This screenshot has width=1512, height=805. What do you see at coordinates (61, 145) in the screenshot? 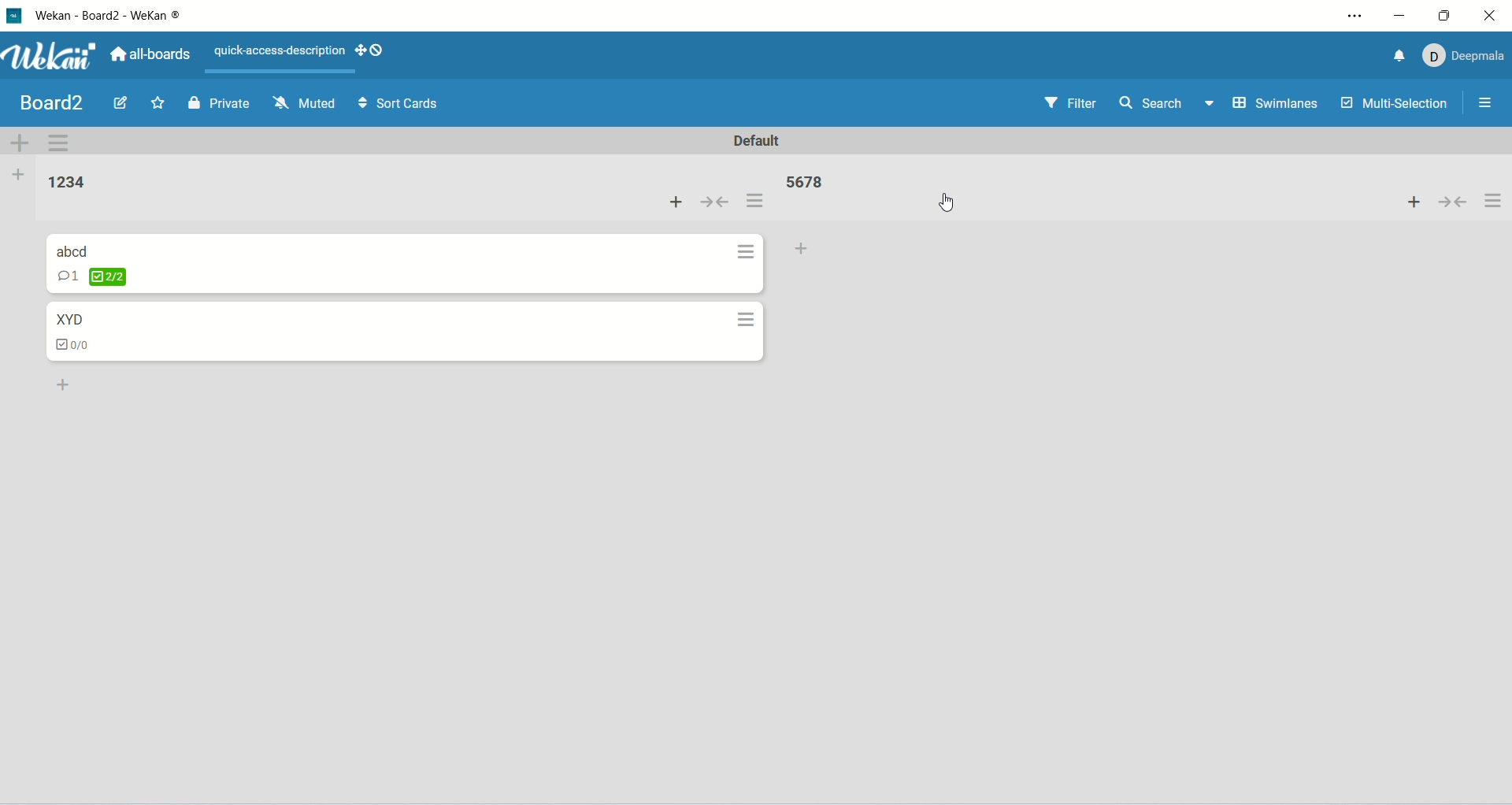
I see `swimlane actions` at bounding box center [61, 145].